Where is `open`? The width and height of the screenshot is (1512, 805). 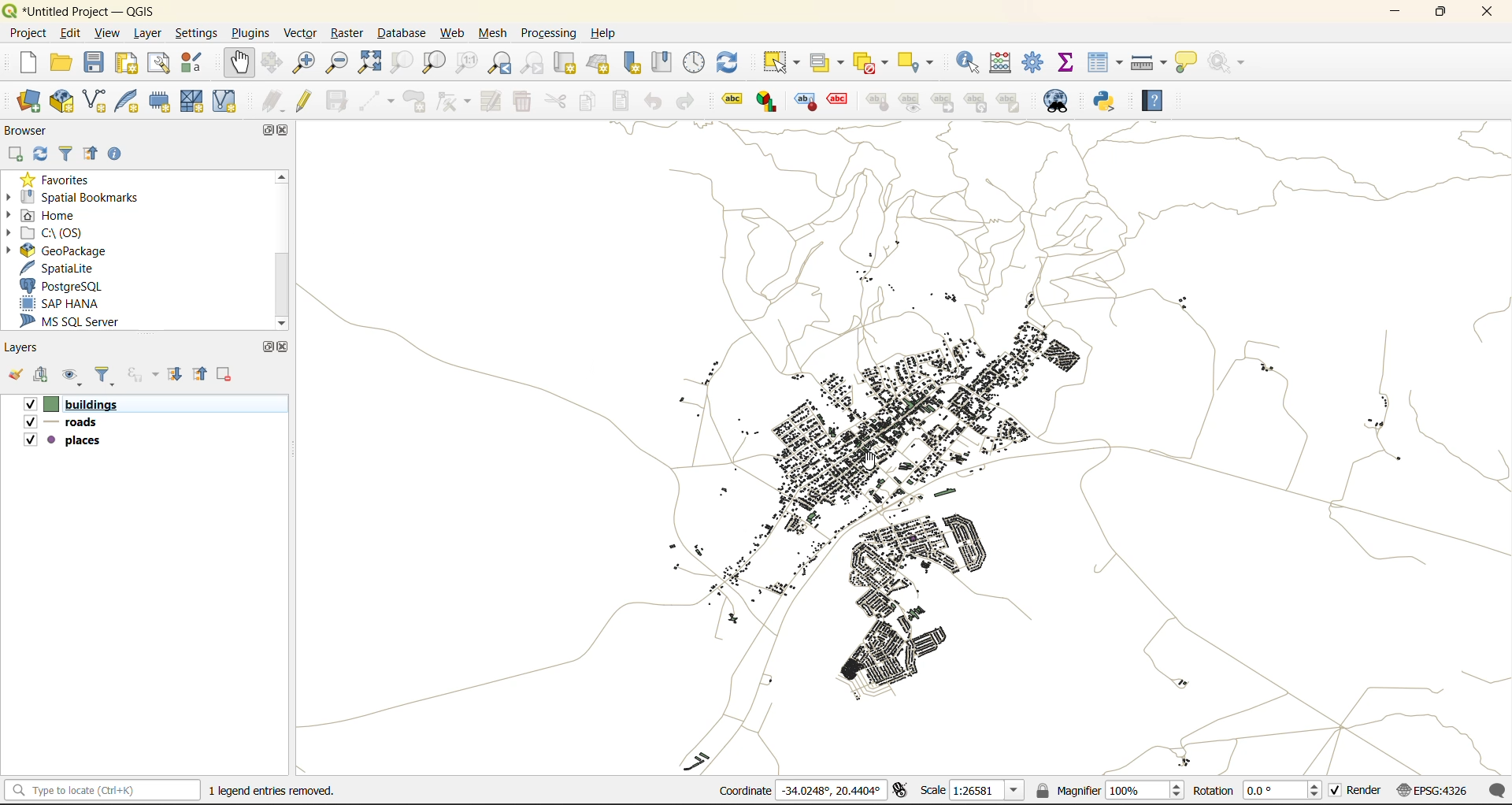 open is located at coordinates (16, 375).